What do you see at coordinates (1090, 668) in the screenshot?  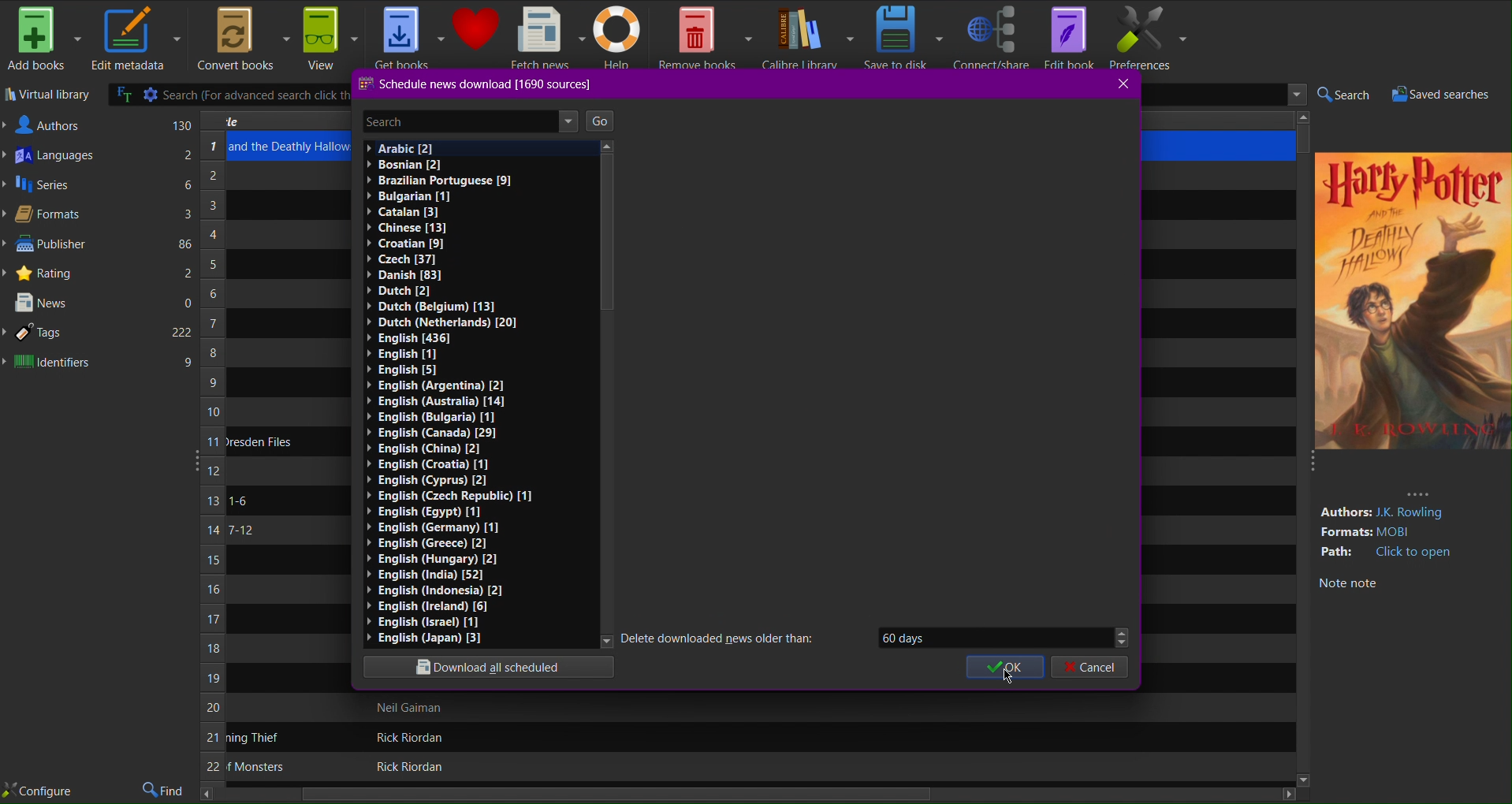 I see `Cancel` at bounding box center [1090, 668].